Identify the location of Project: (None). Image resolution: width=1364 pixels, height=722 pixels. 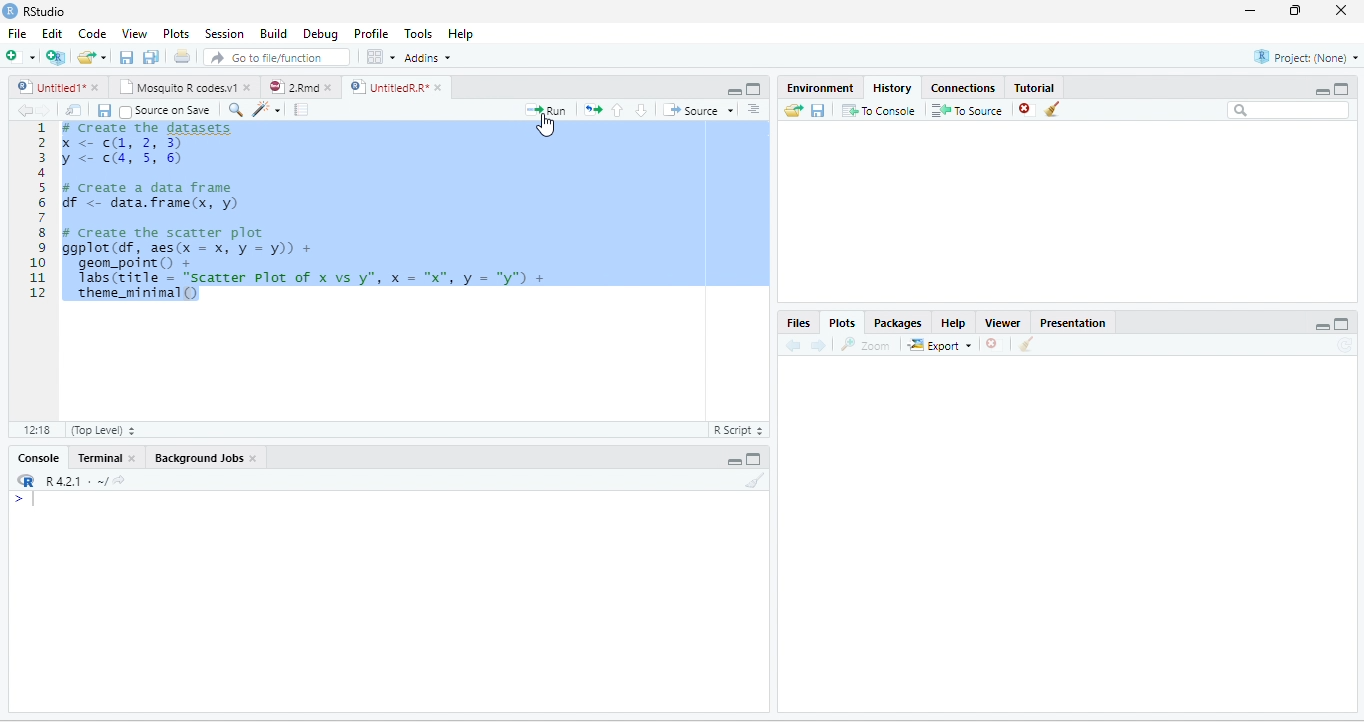
(1305, 57).